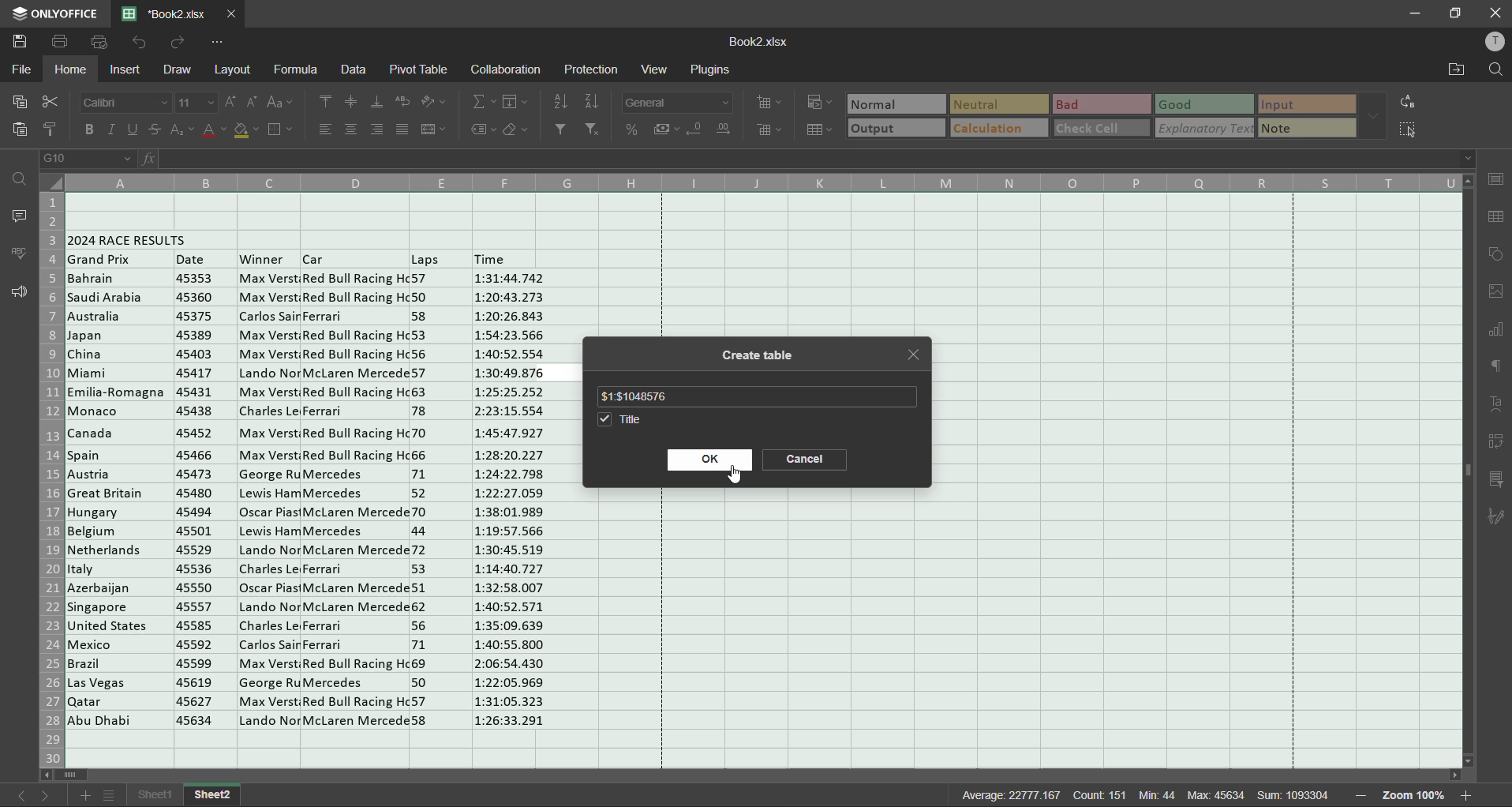  I want to click on align left, so click(326, 129).